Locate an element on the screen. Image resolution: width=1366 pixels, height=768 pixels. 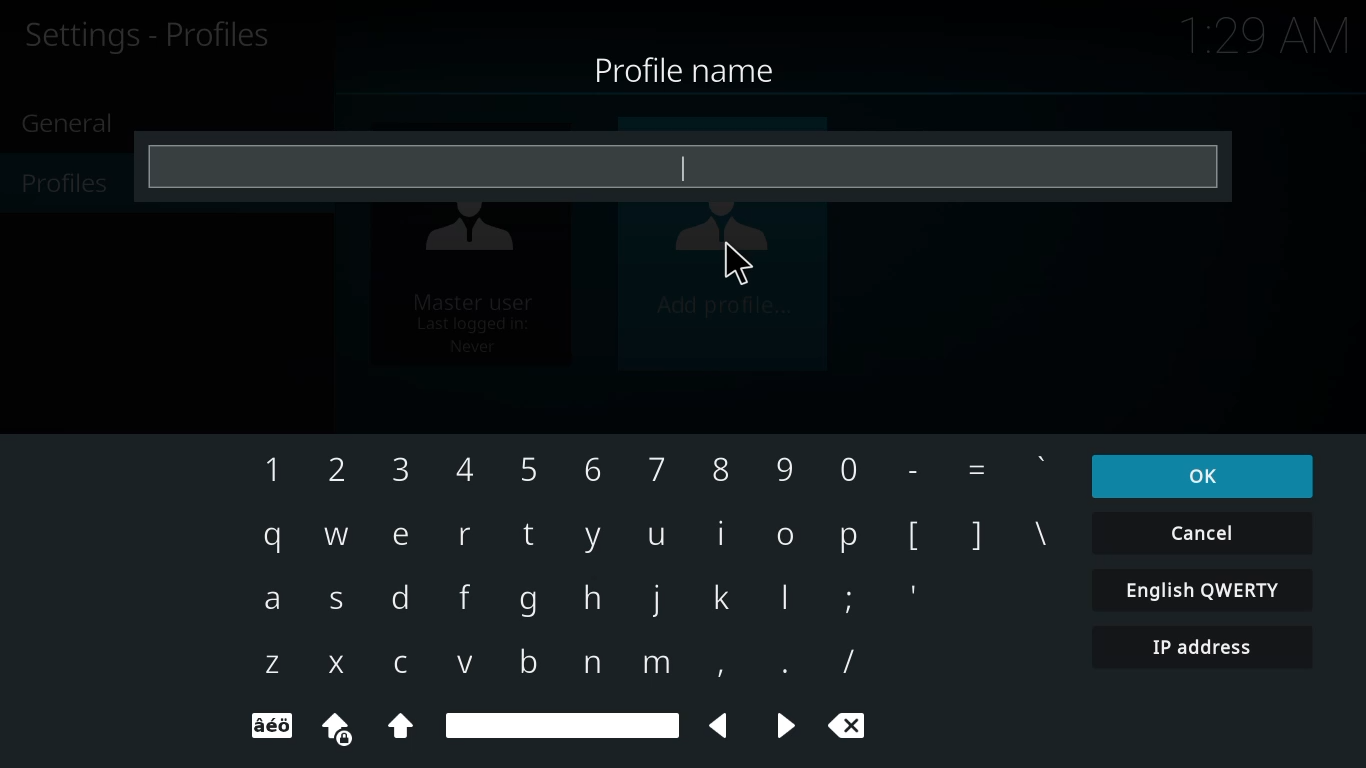
n is located at coordinates (589, 666).